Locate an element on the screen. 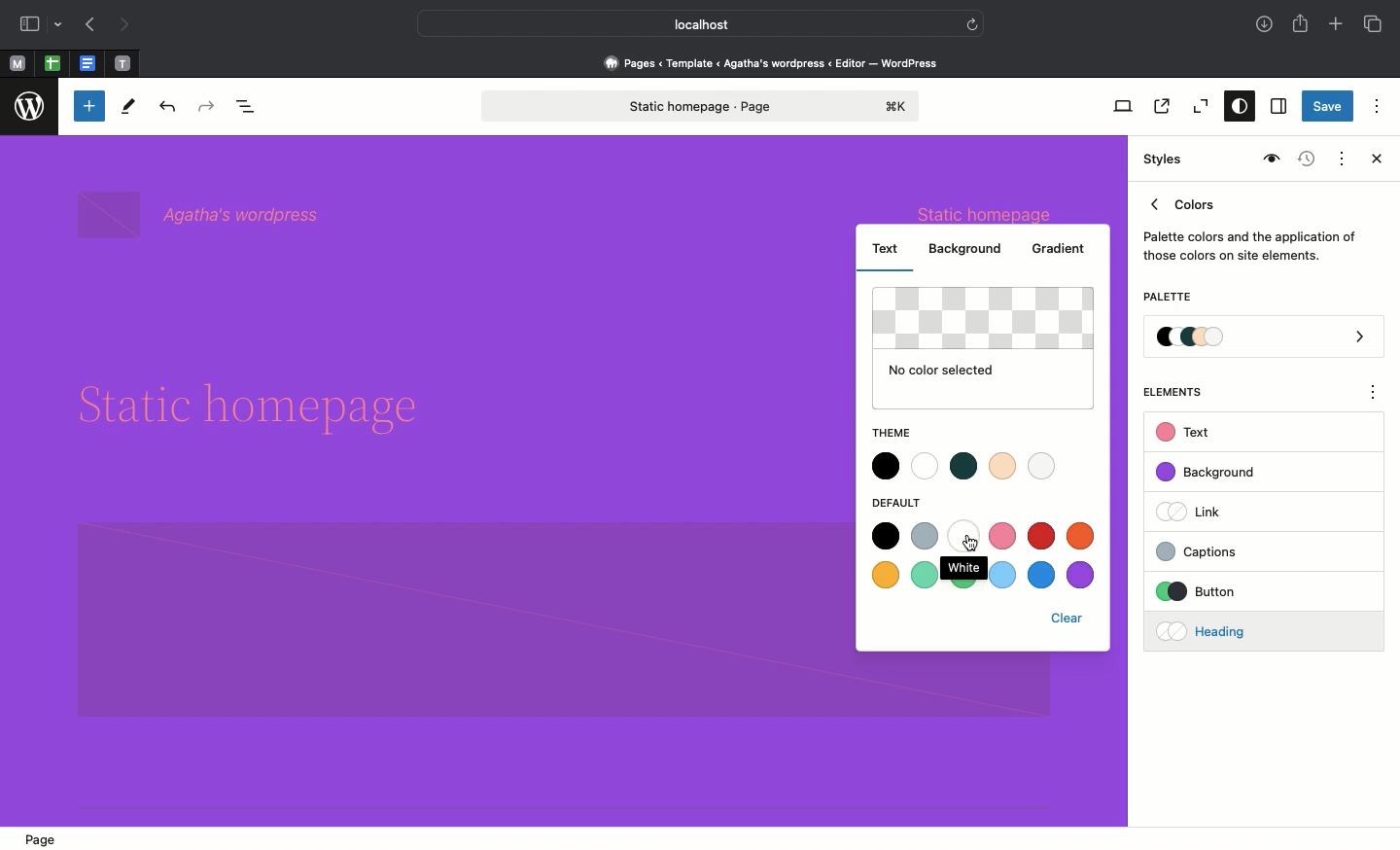 Image resolution: width=1400 pixels, height=850 pixels. Headings is located at coordinates (1230, 629).